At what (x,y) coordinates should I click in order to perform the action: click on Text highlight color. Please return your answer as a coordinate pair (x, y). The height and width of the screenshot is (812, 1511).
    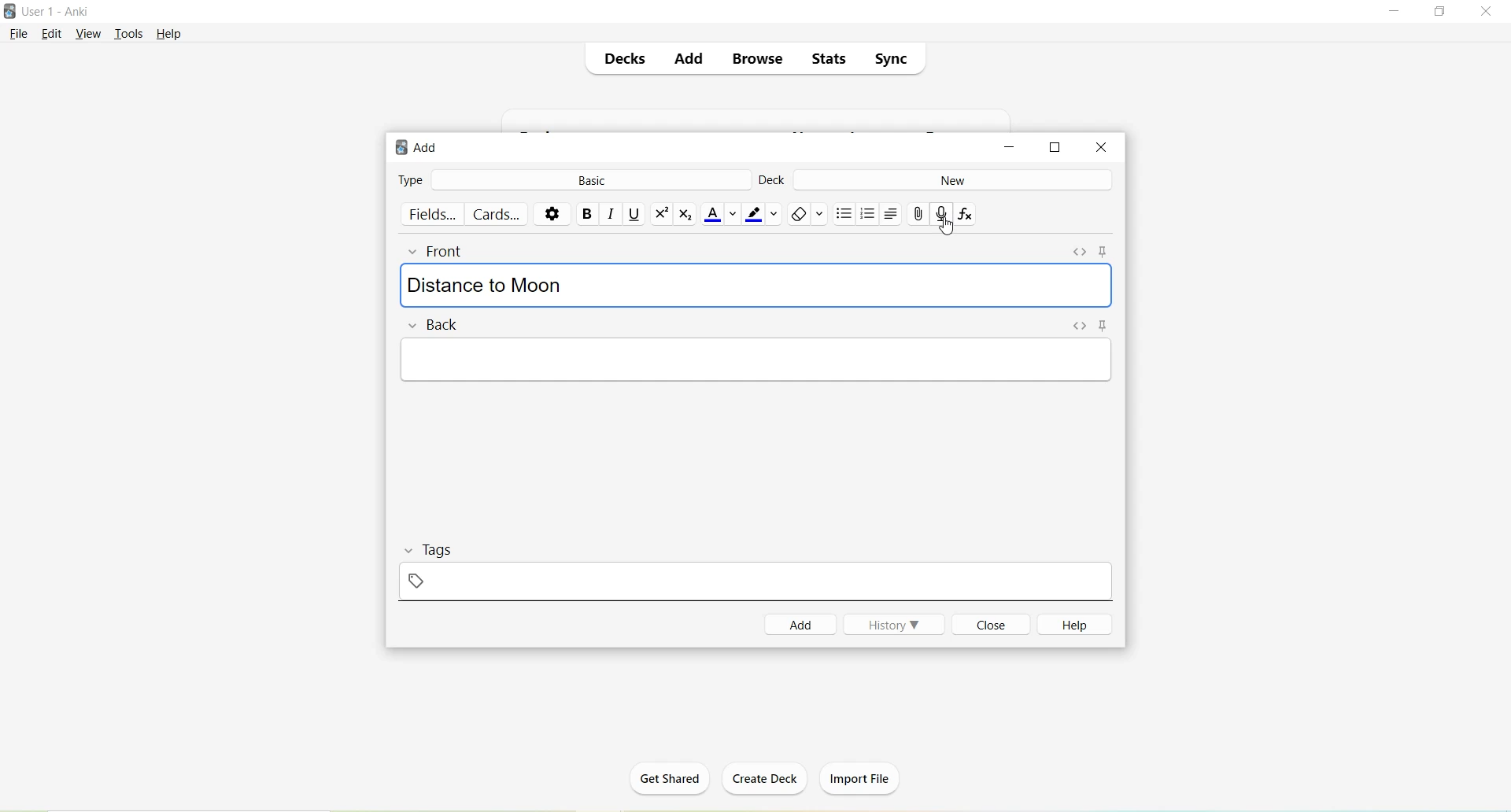
    Looking at the image, I should click on (762, 213).